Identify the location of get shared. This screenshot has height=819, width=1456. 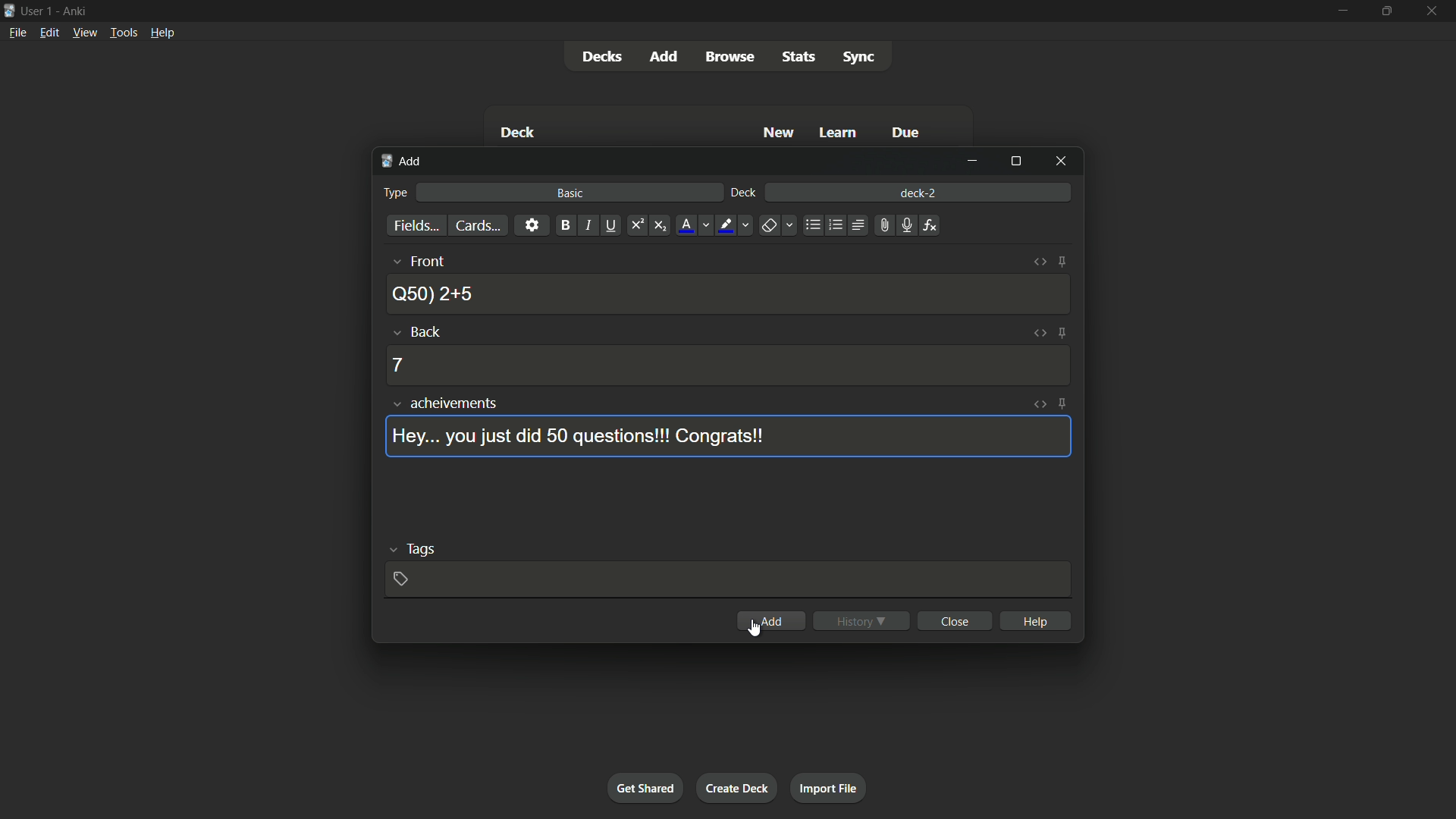
(645, 789).